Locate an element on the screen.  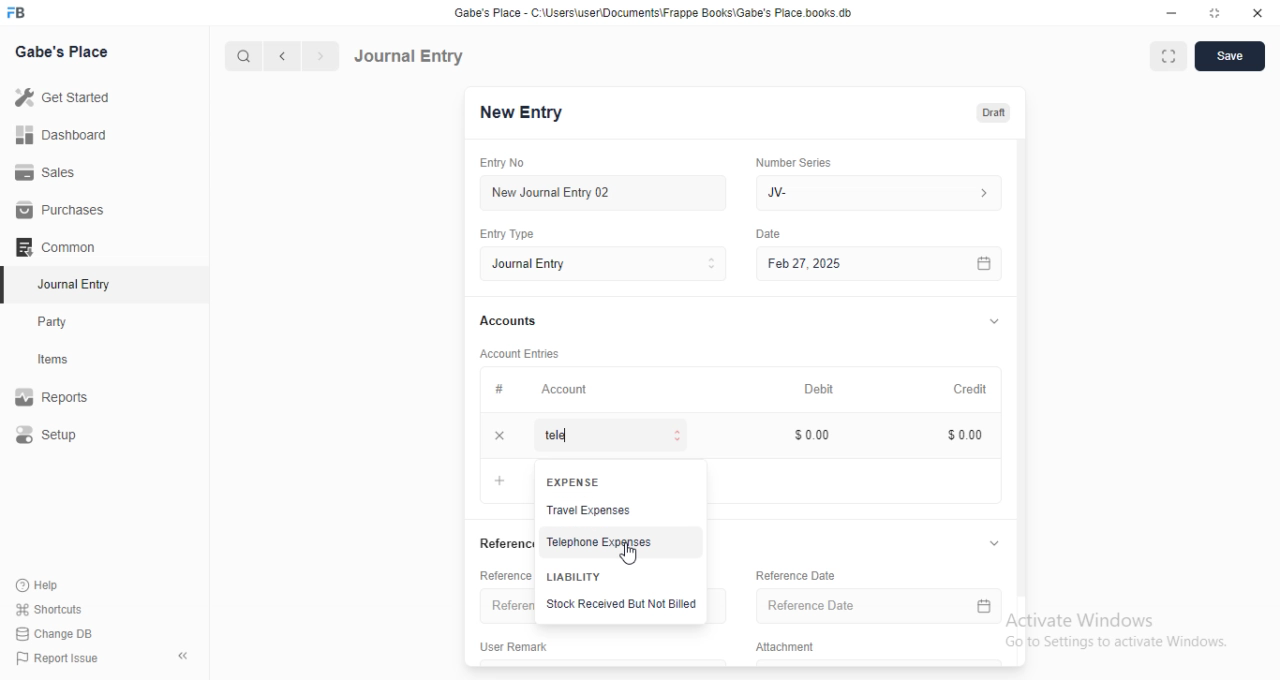
‘Gabe's Place - C Wsers\userDocuments\Frappe Books\Gabe's Place books db is located at coordinates (659, 11).